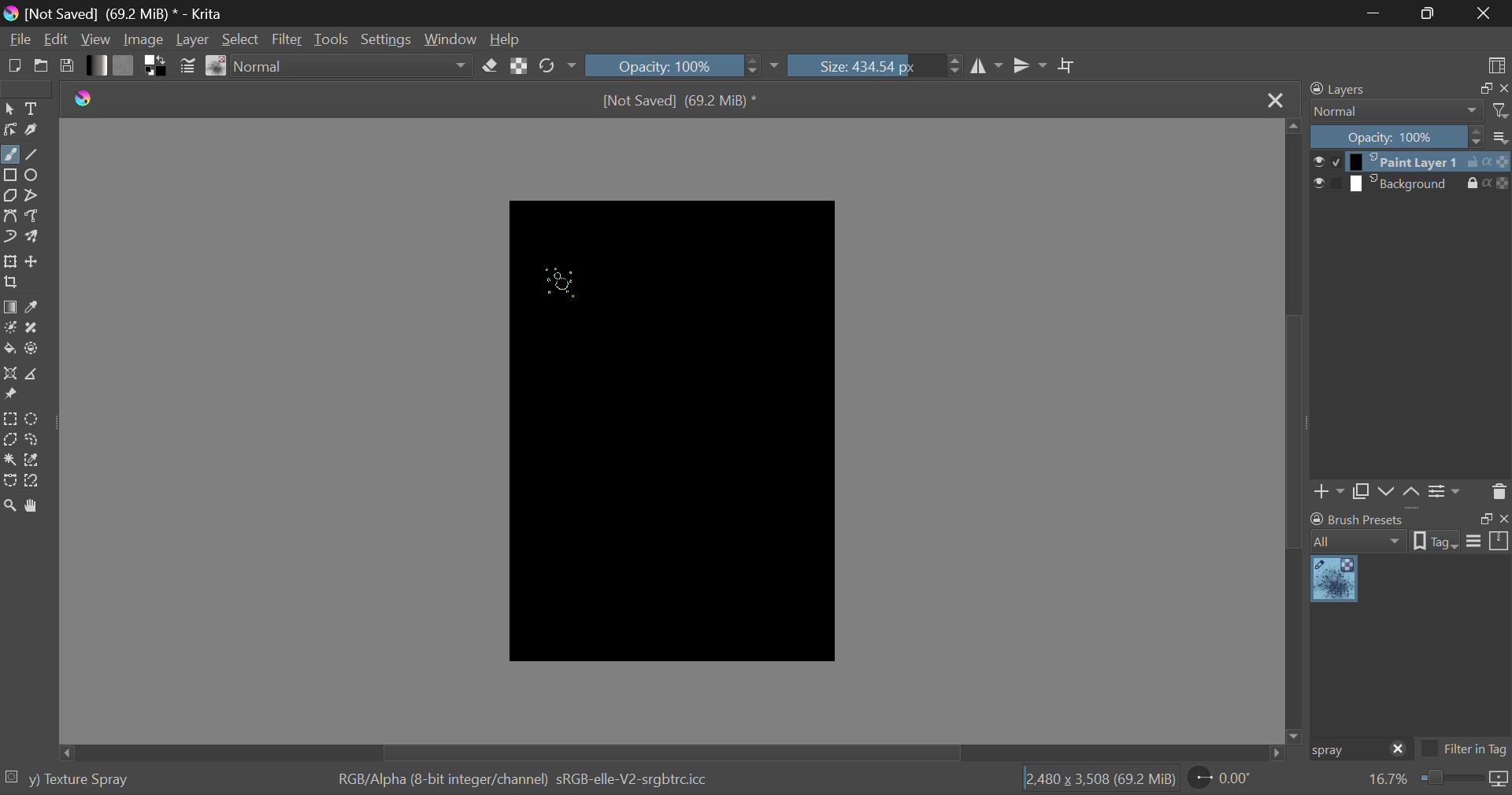  I want to click on Blending Mode, so click(354, 66).